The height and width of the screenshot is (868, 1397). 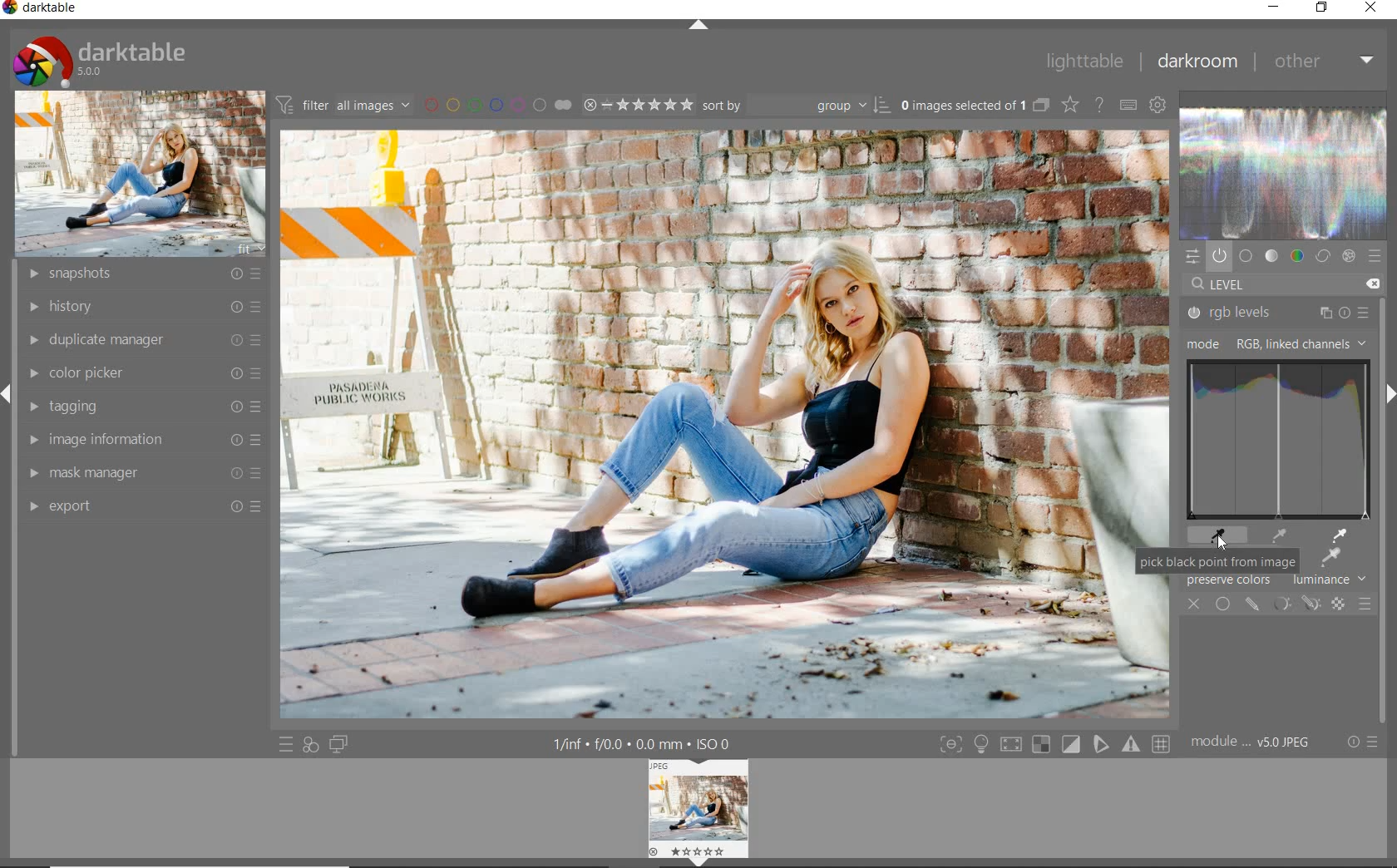 I want to click on tagging, so click(x=140, y=407).